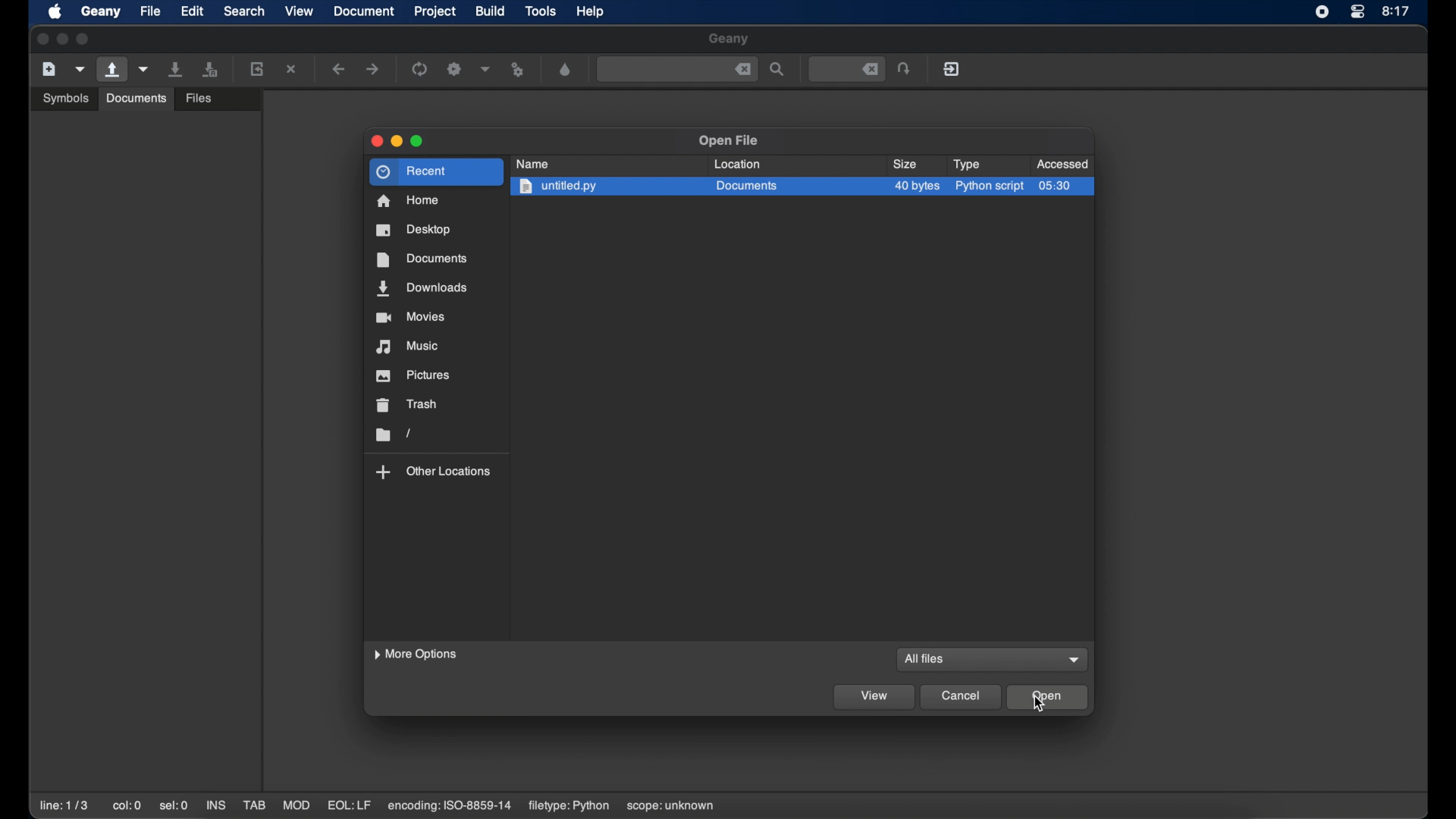 This screenshot has height=819, width=1456. Describe the element at coordinates (422, 260) in the screenshot. I see `documents` at that location.